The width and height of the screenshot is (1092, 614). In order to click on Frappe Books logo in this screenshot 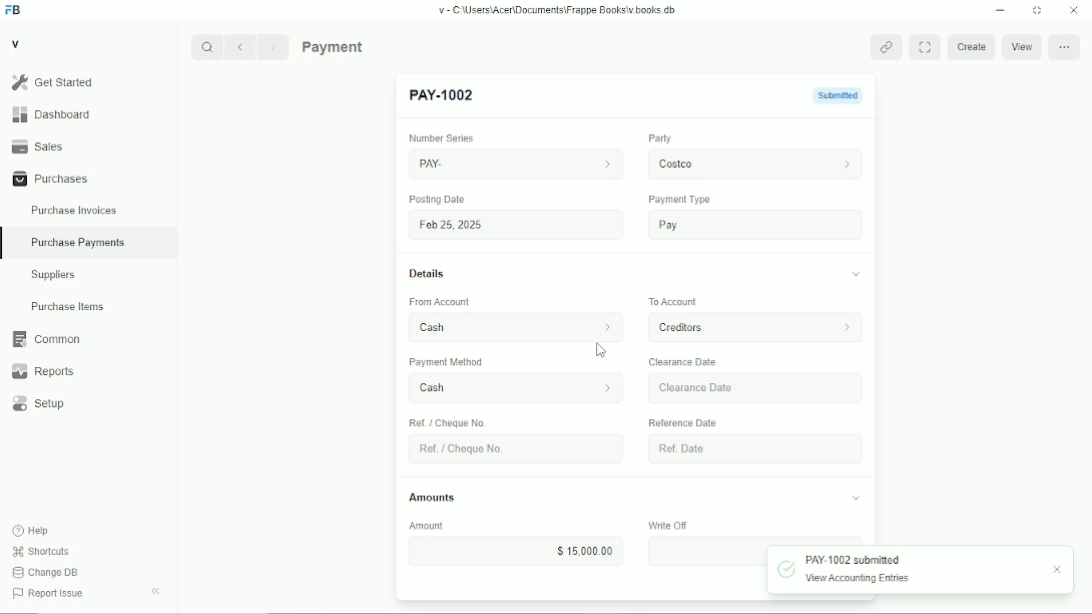, I will do `click(12, 10)`.